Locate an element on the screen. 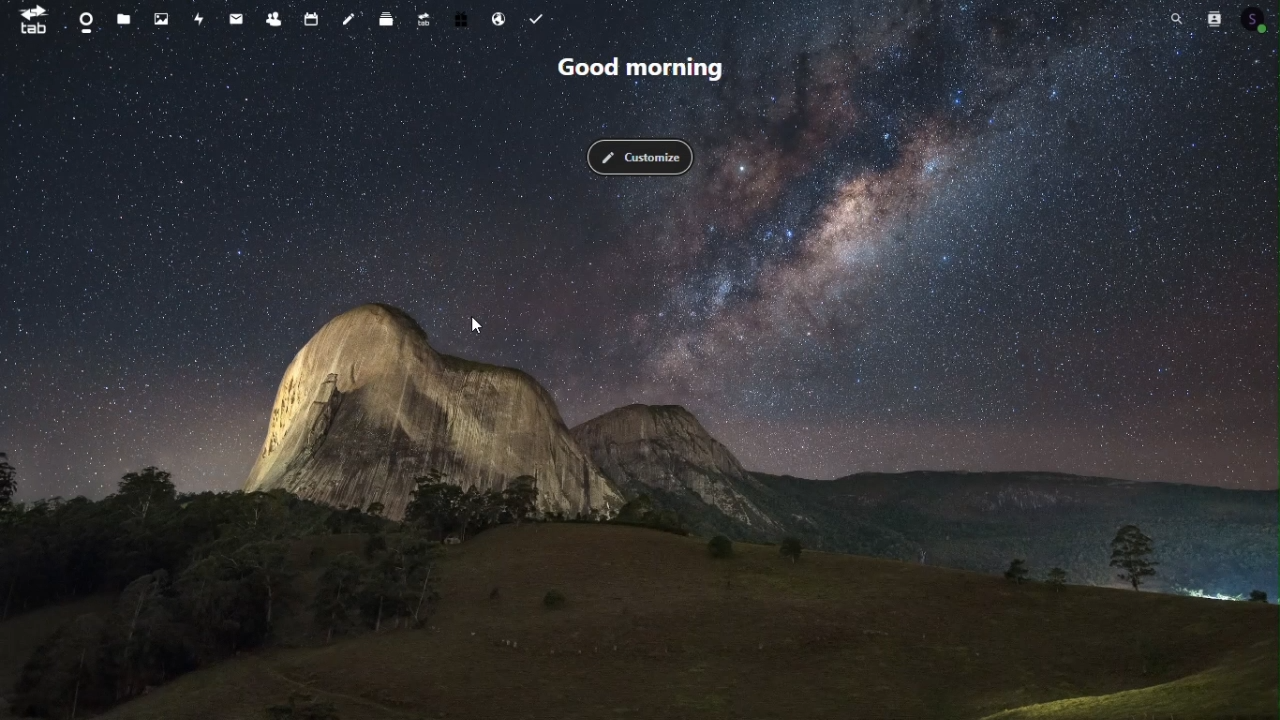  mail is located at coordinates (236, 16).